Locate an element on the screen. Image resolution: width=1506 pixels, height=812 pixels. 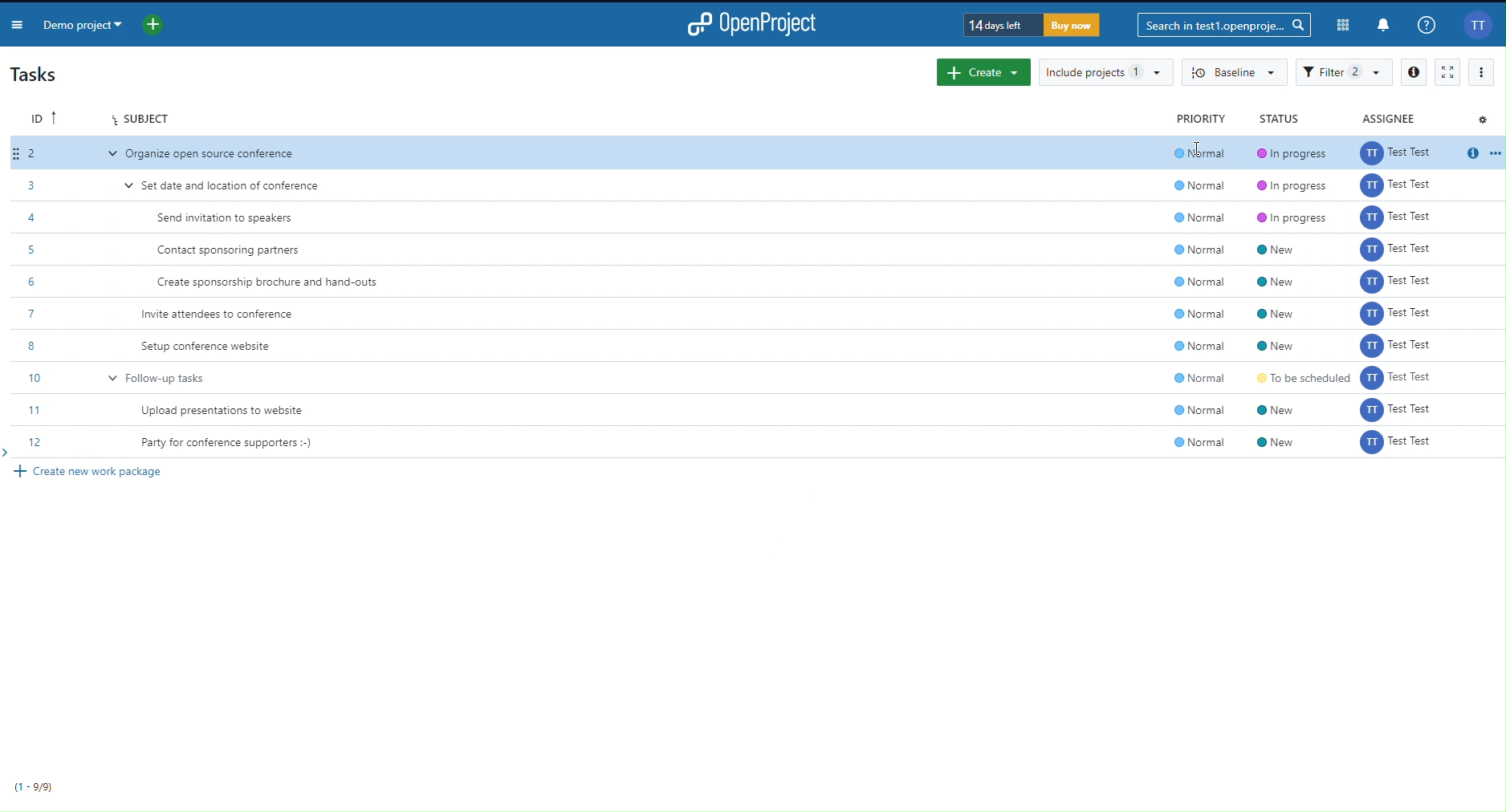
Create new work package is located at coordinates (96, 473).